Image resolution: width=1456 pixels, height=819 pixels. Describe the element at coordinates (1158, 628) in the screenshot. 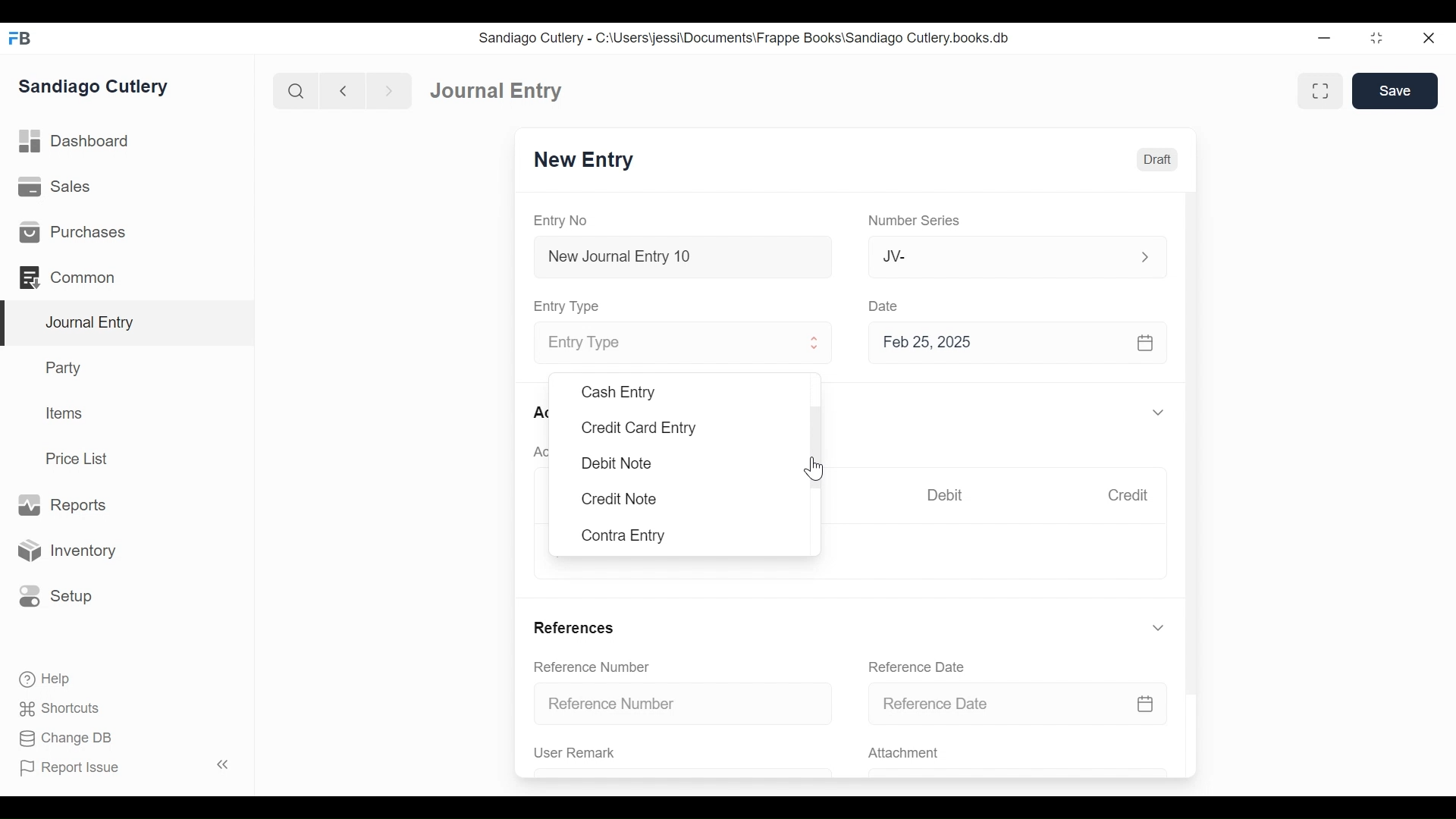

I see `Expand` at that location.